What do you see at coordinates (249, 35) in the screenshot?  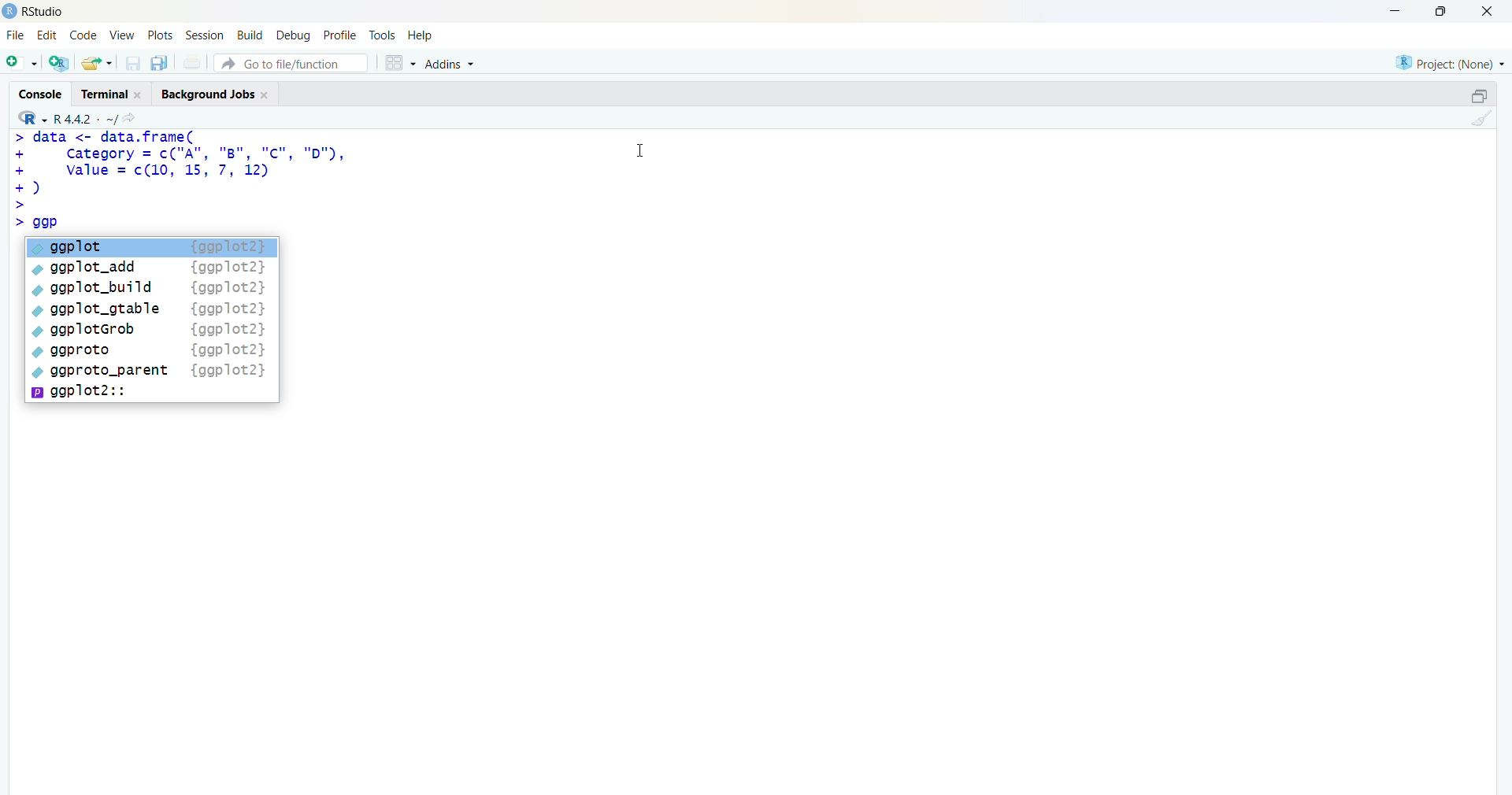 I see `build` at bounding box center [249, 35].